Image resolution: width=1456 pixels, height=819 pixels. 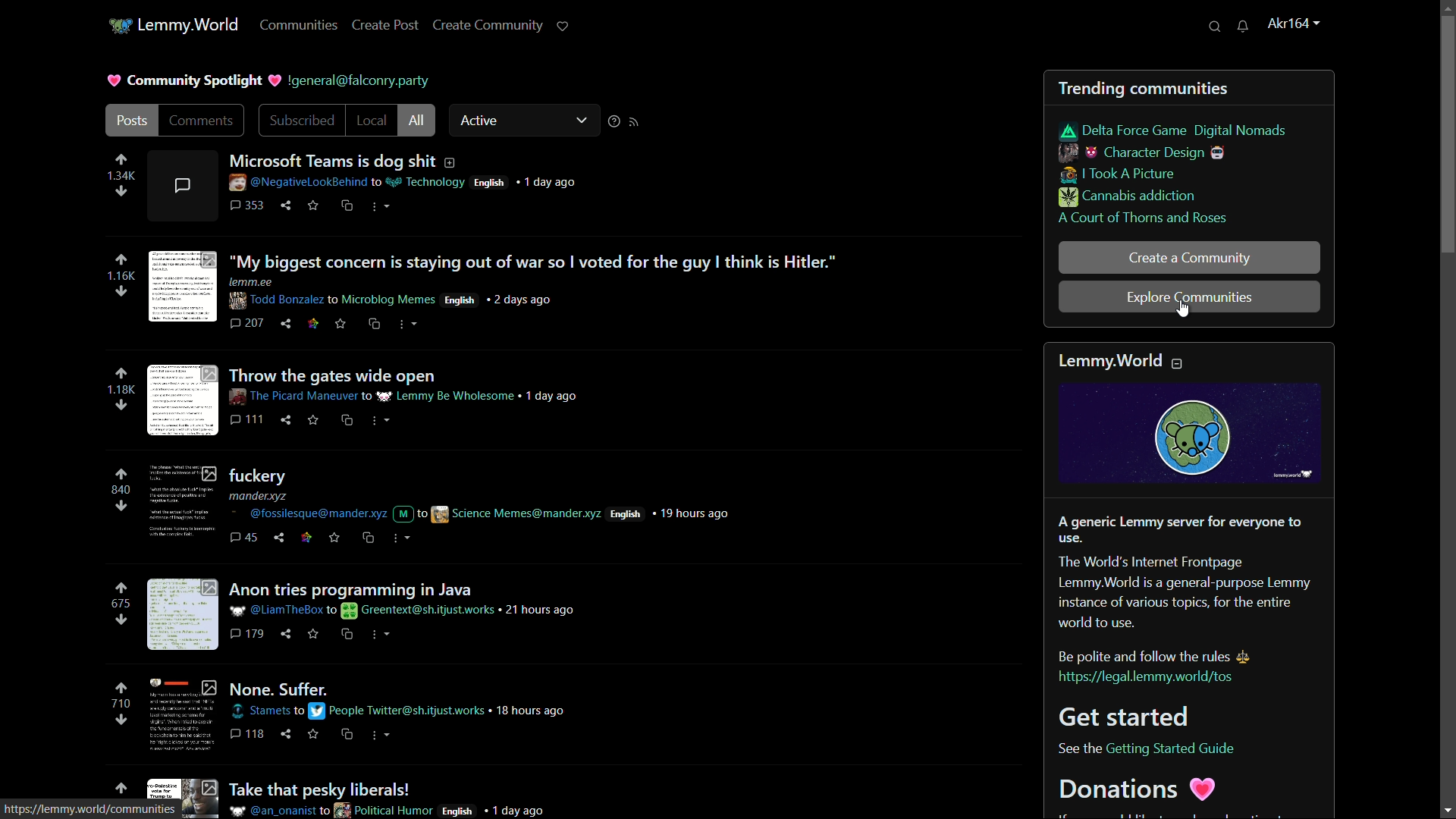 What do you see at coordinates (184, 400) in the screenshot?
I see `image` at bounding box center [184, 400].